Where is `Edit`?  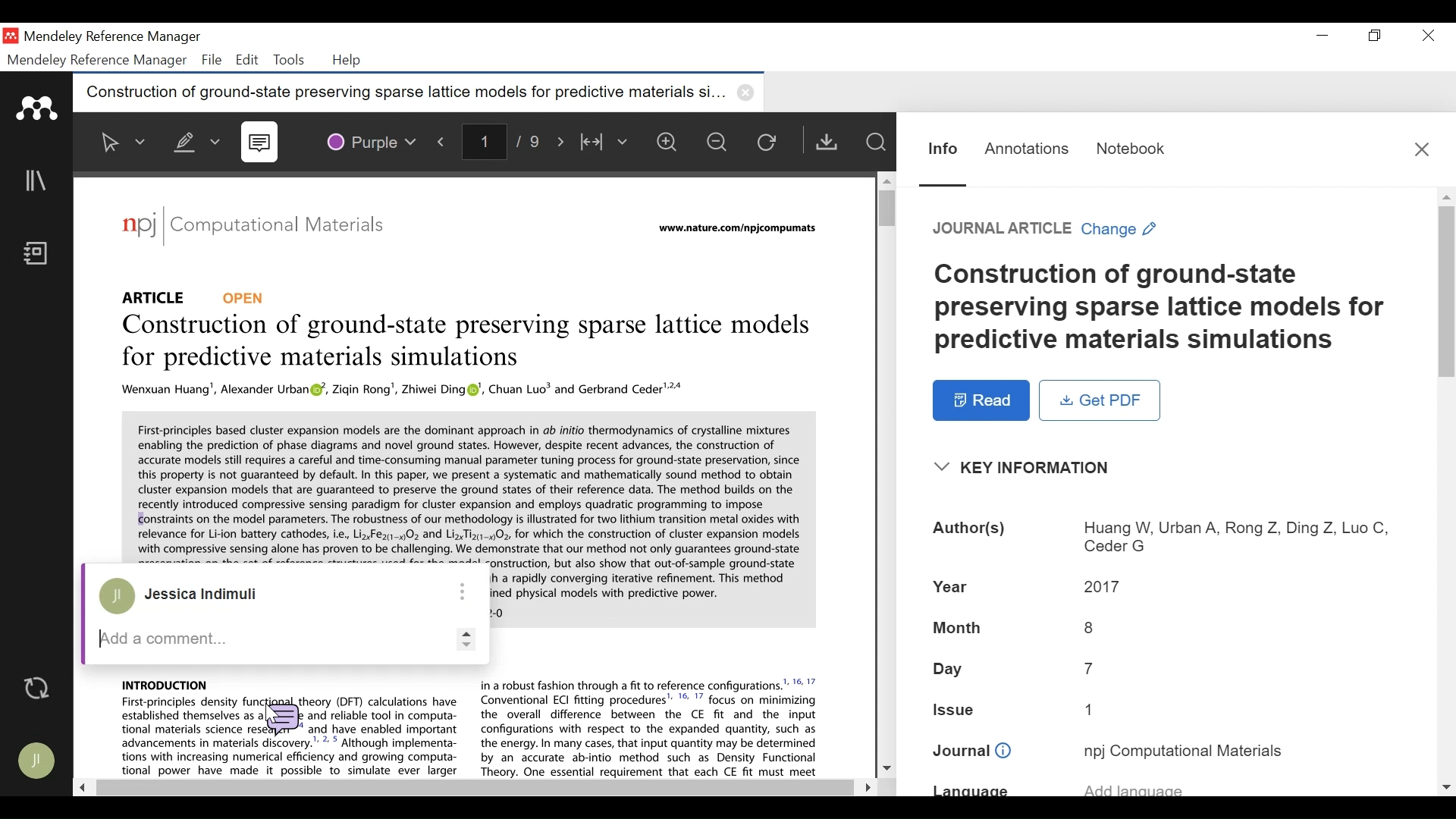
Edit is located at coordinates (247, 60).